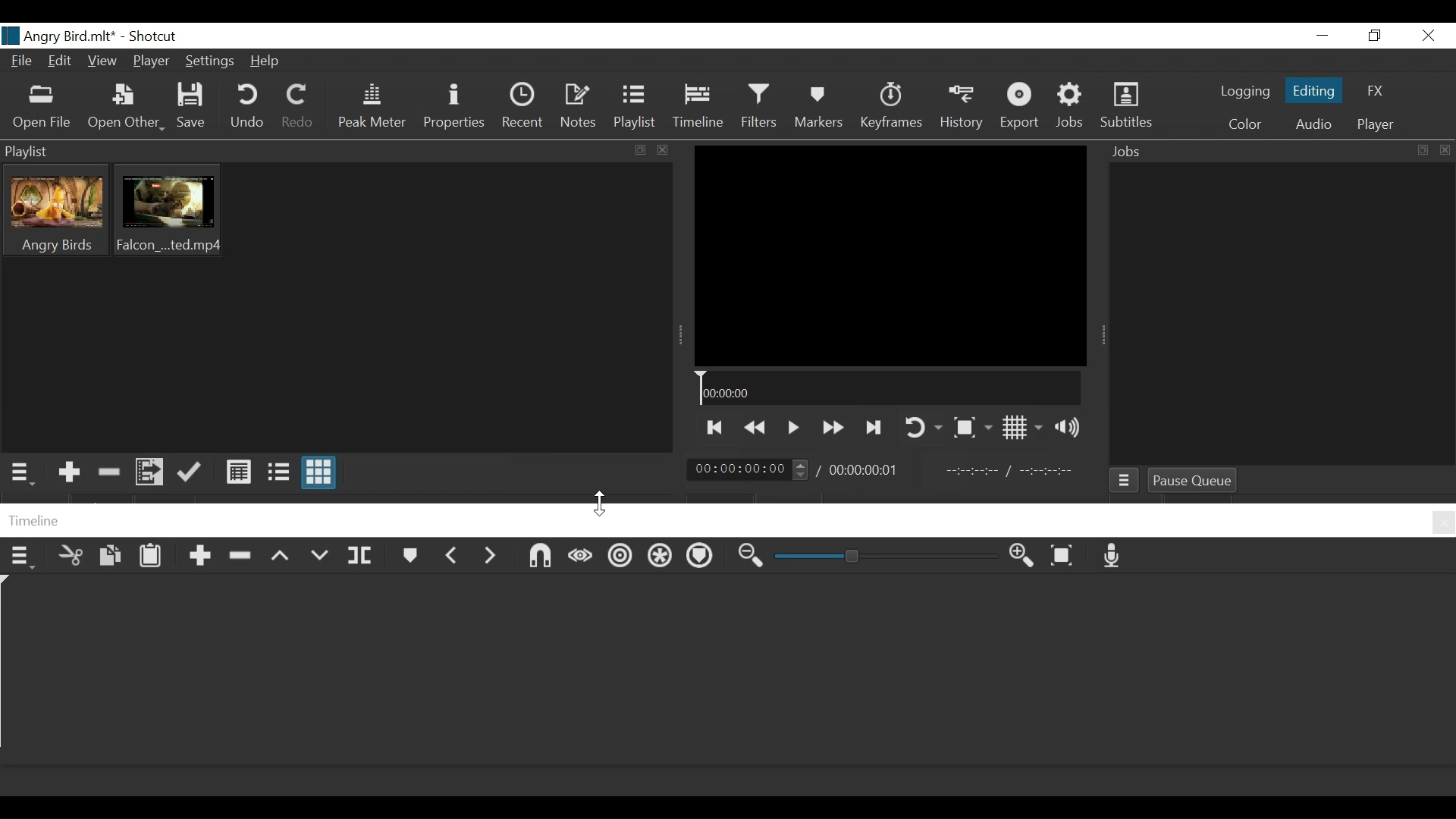 Image resolution: width=1456 pixels, height=819 pixels. Describe the element at coordinates (151, 472) in the screenshot. I see `Add files to the playlist` at that location.